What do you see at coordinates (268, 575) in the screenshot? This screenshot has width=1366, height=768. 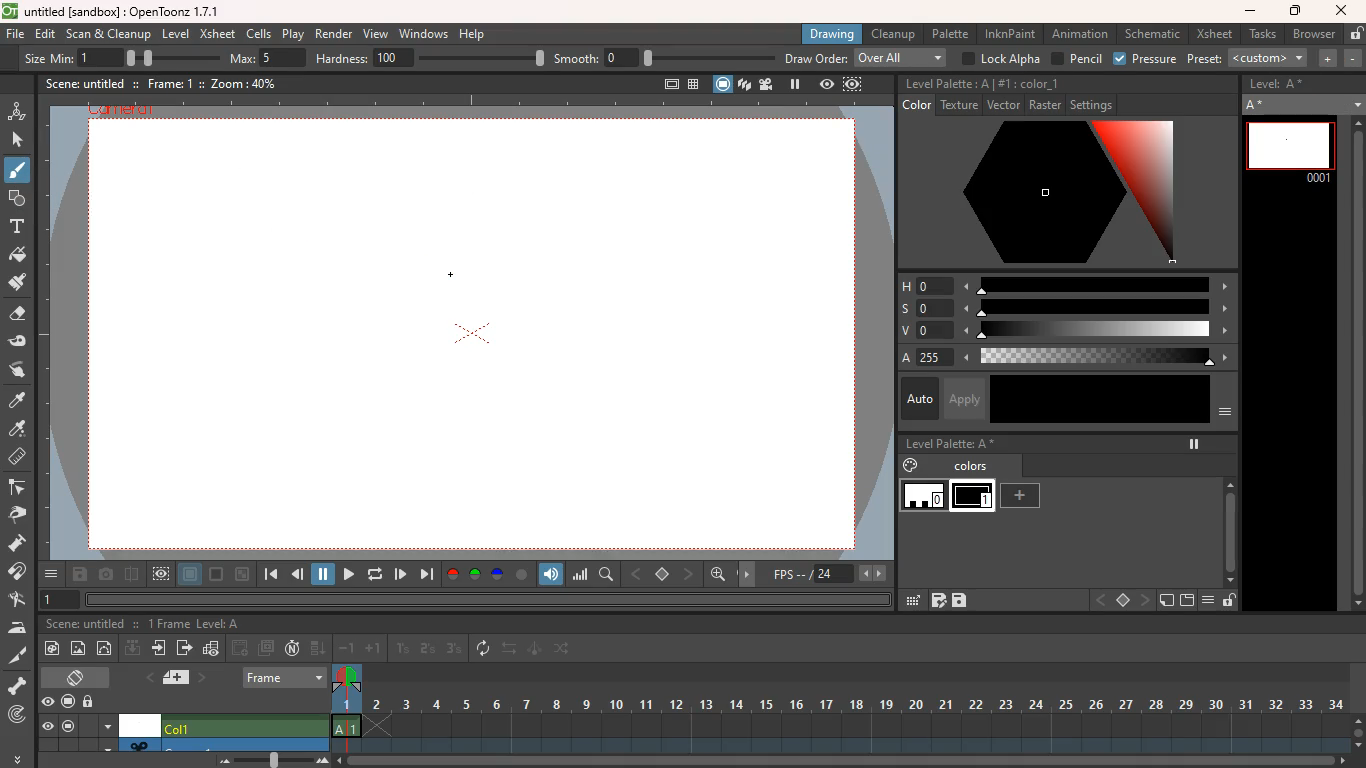 I see `beggining` at bounding box center [268, 575].